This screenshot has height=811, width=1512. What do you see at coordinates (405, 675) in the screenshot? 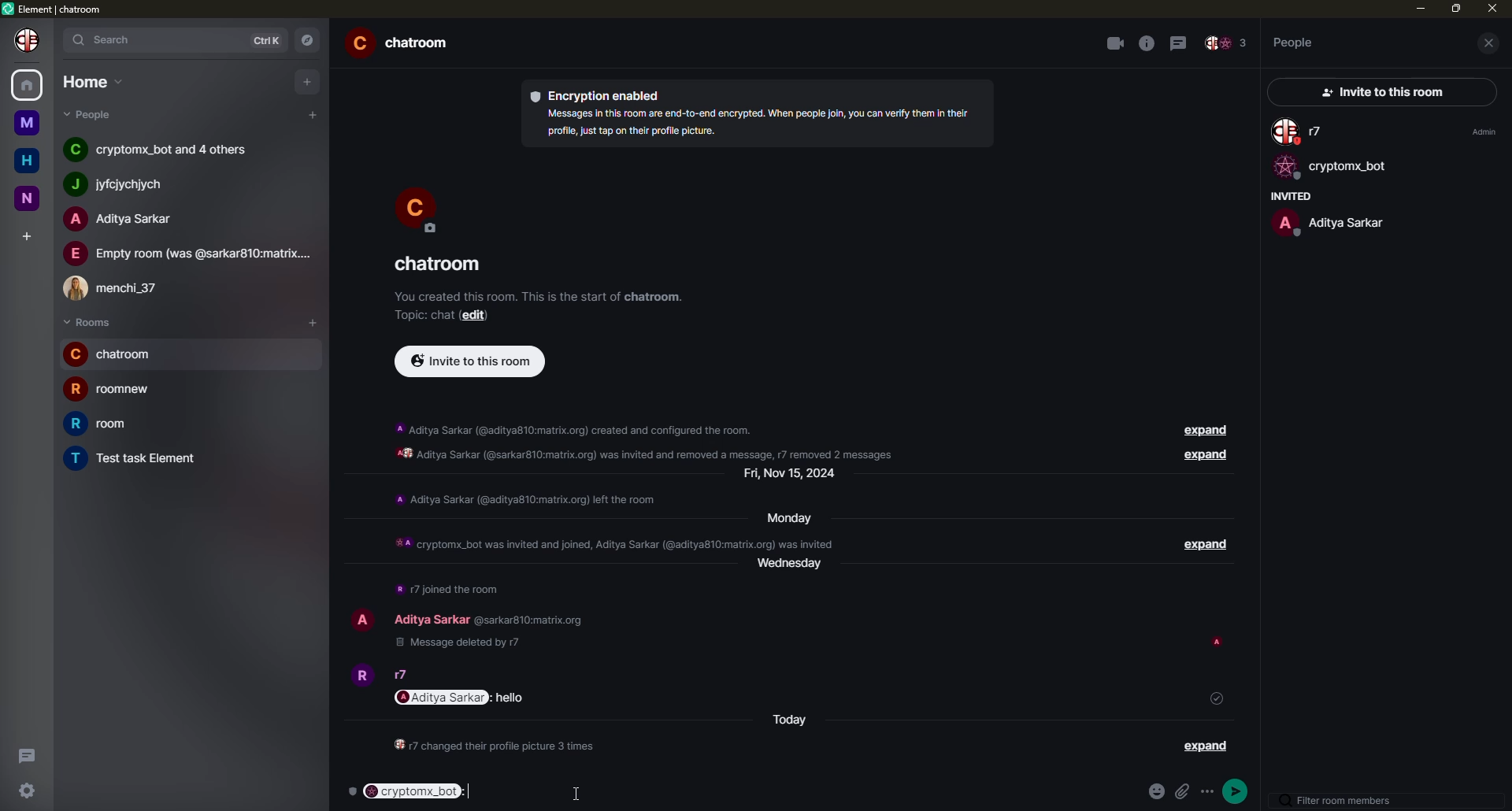
I see `people` at bounding box center [405, 675].